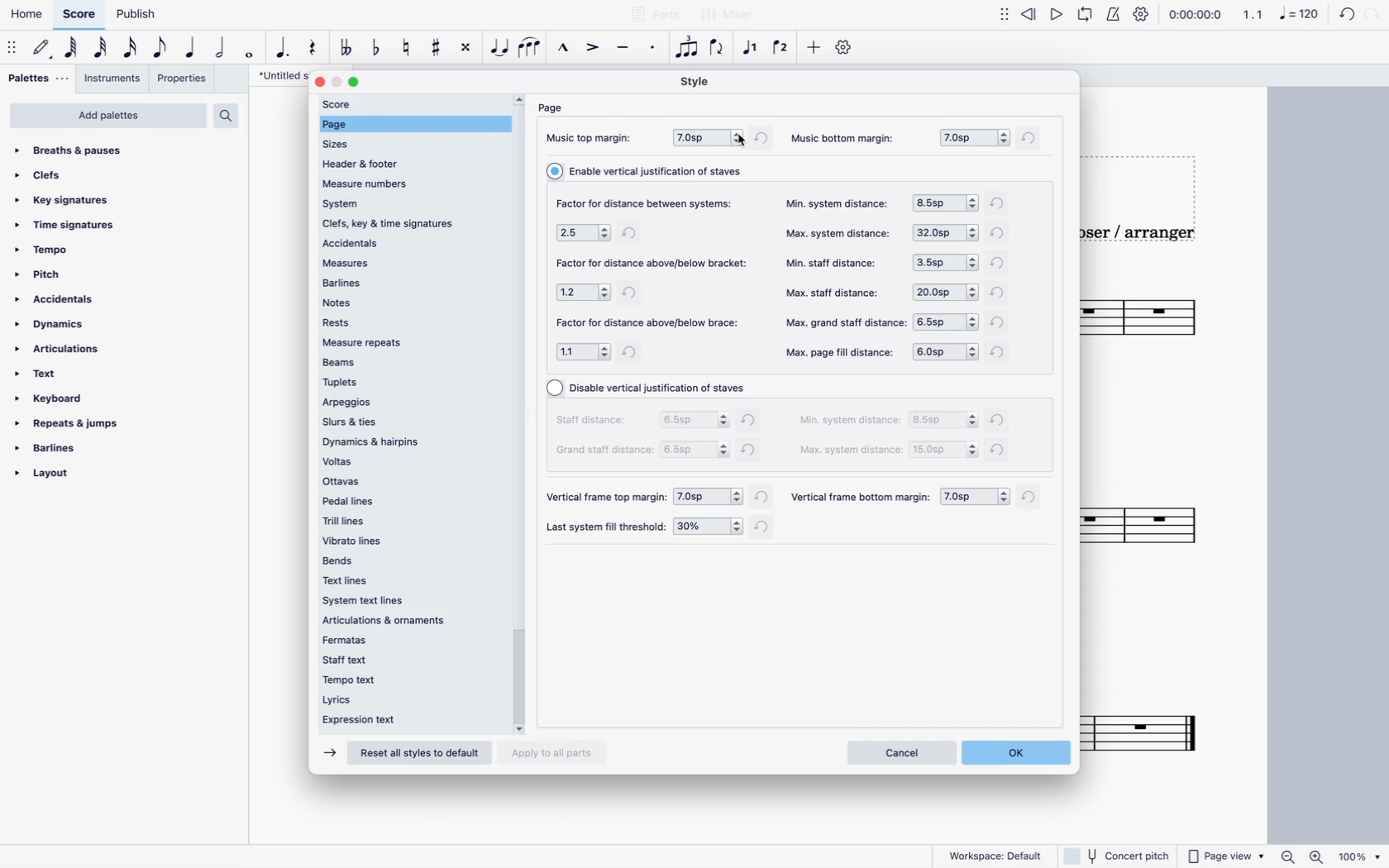 This screenshot has width=1389, height=868. What do you see at coordinates (767, 528) in the screenshot?
I see `refresh` at bounding box center [767, 528].